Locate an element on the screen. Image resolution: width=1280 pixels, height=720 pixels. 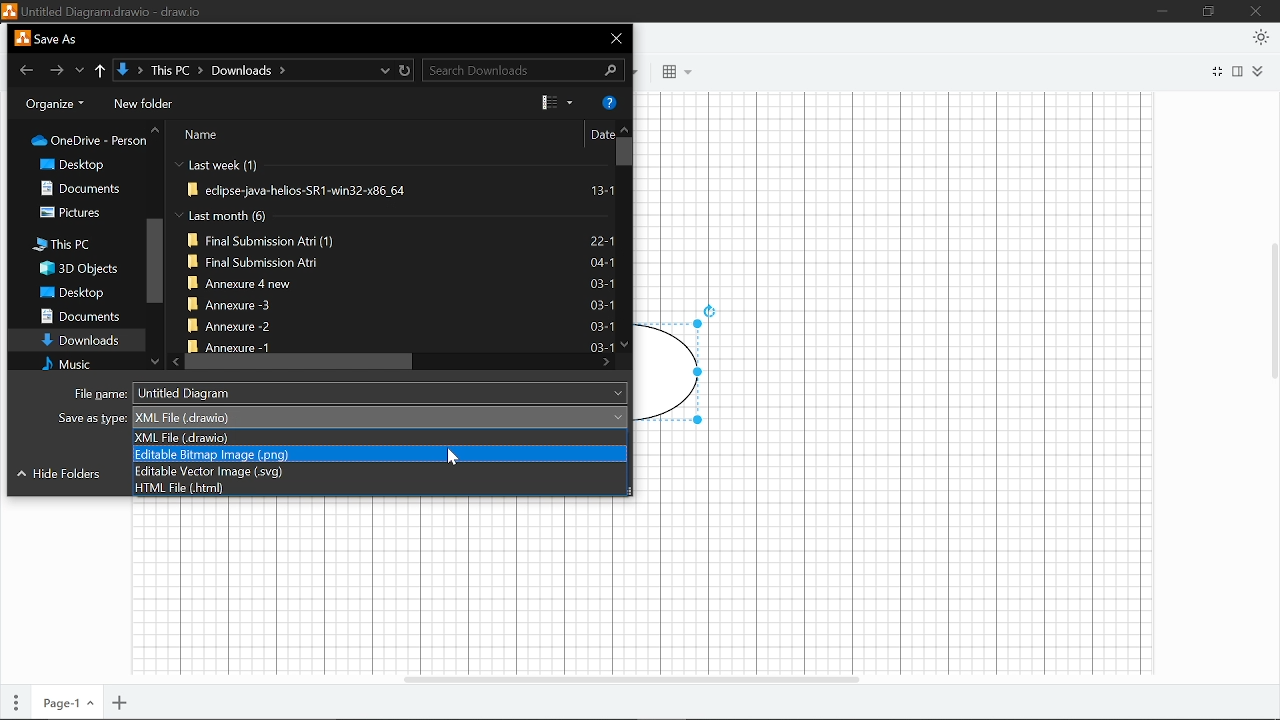
Documents is located at coordinates (89, 188).